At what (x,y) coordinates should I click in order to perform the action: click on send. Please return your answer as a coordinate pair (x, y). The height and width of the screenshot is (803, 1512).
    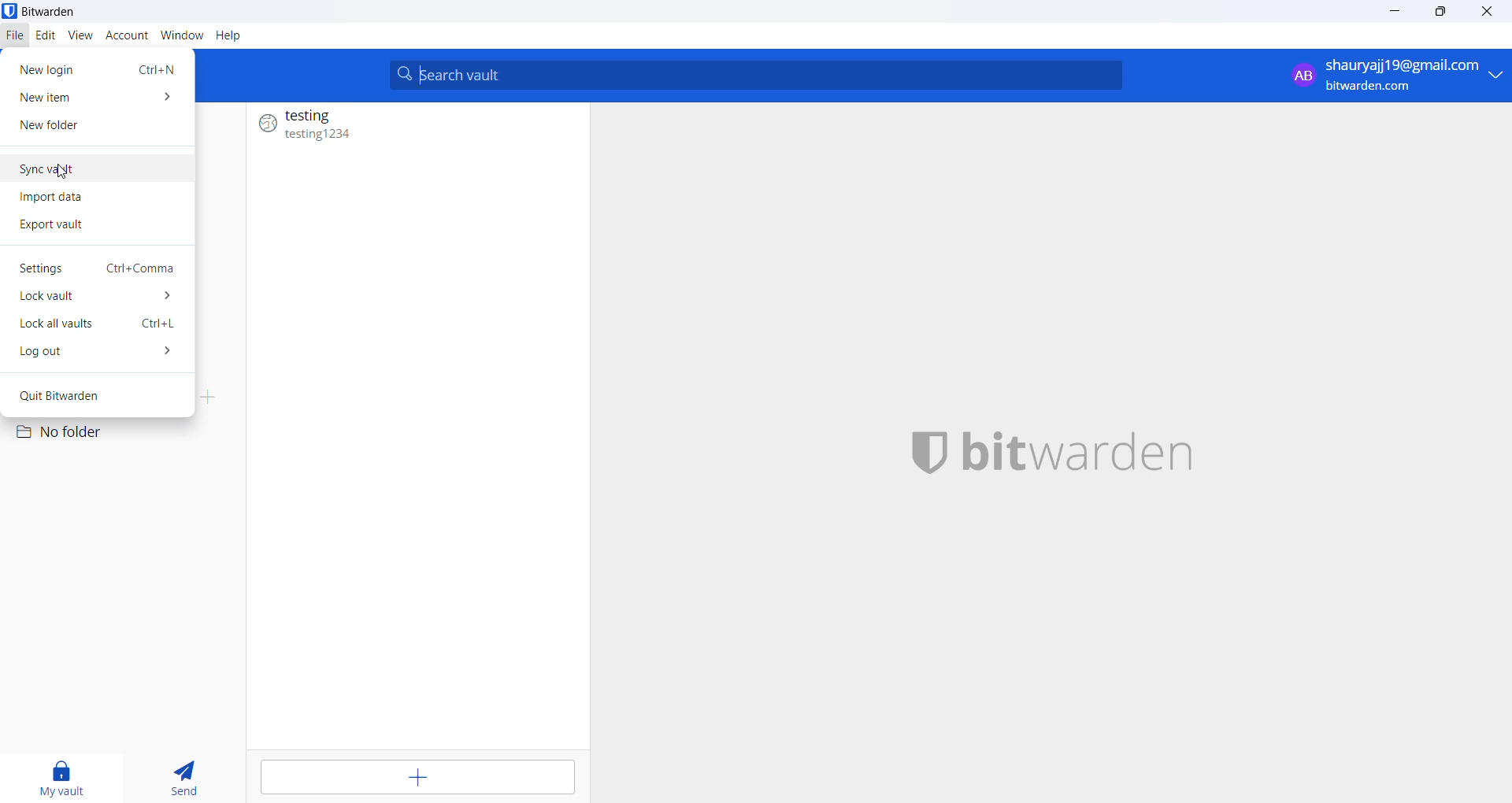
    Looking at the image, I should click on (183, 781).